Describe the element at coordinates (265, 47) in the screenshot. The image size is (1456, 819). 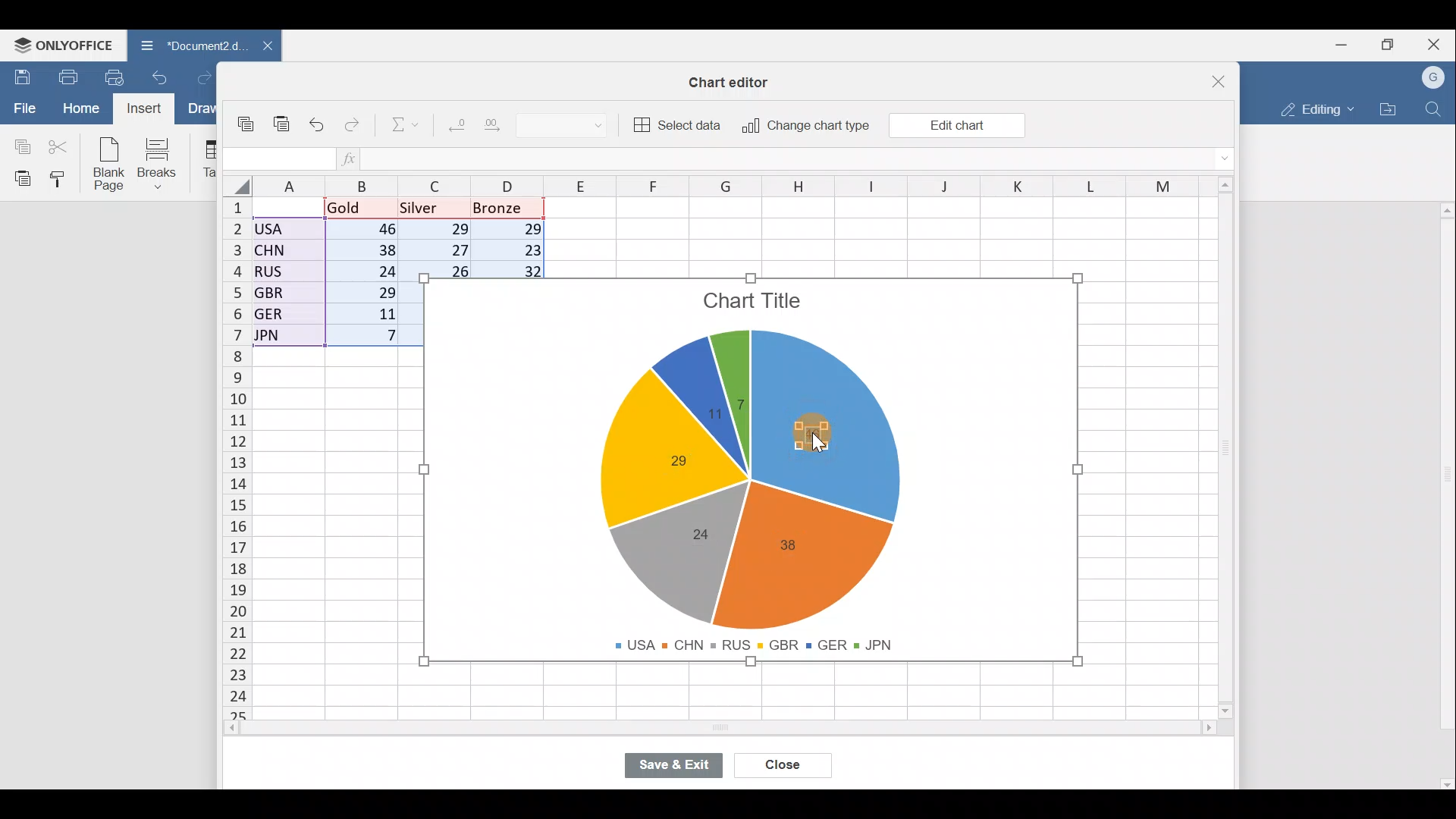
I see `Close document` at that location.